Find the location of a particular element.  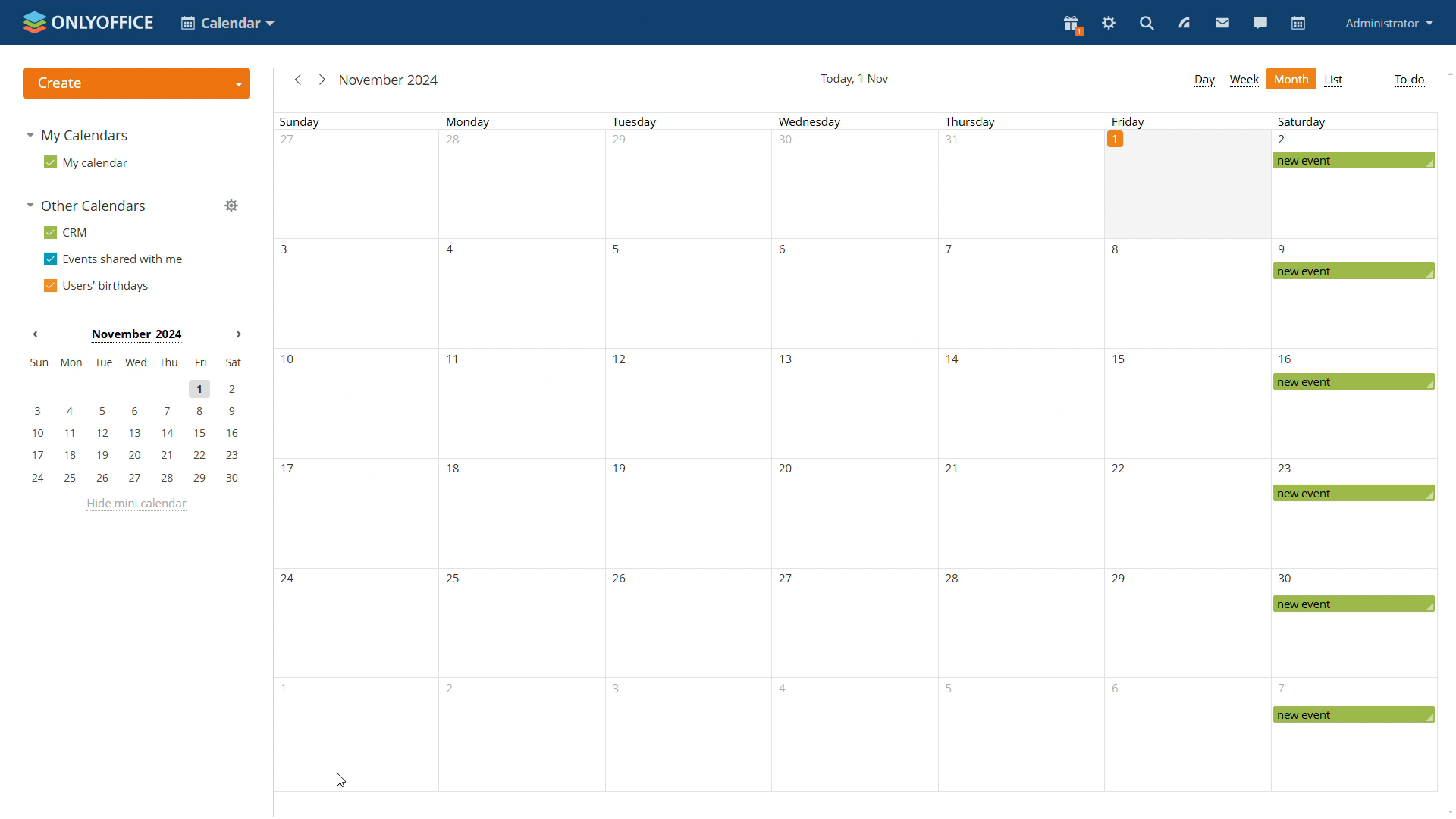

calendar is located at coordinates (1299, 24).